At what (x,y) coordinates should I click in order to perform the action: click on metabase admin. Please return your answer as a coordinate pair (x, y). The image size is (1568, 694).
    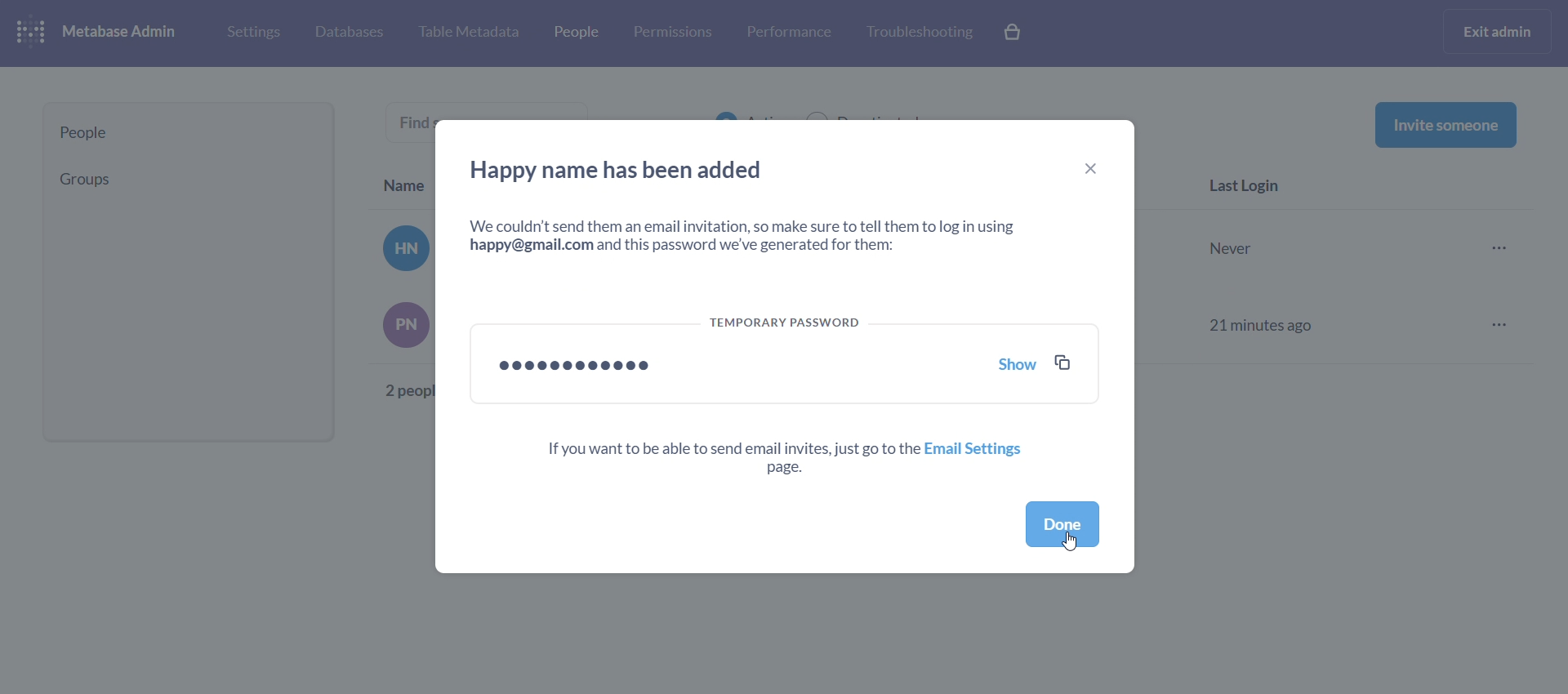
    Looking at the image, I should click on (126, 33).